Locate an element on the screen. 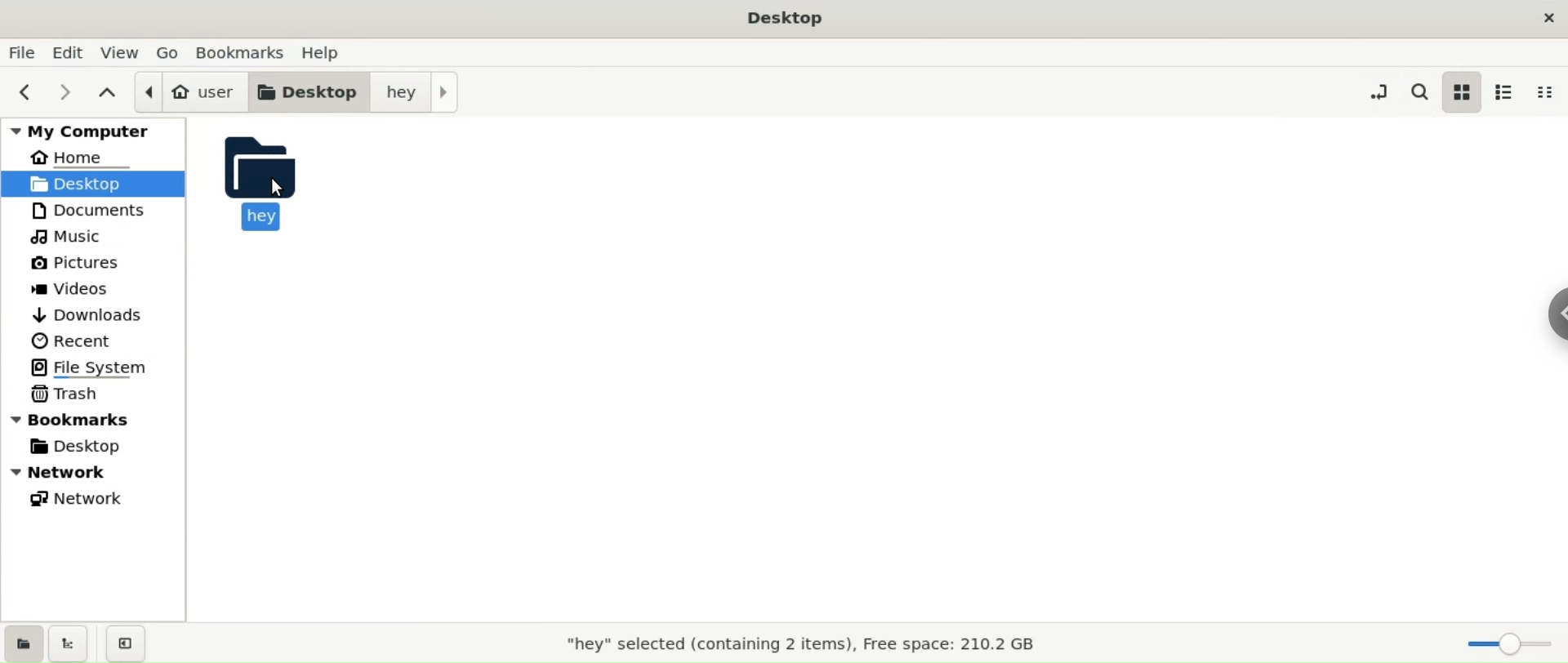 This screenshot has width=1568, height=663. search  is located at coordinates (1424, 92).